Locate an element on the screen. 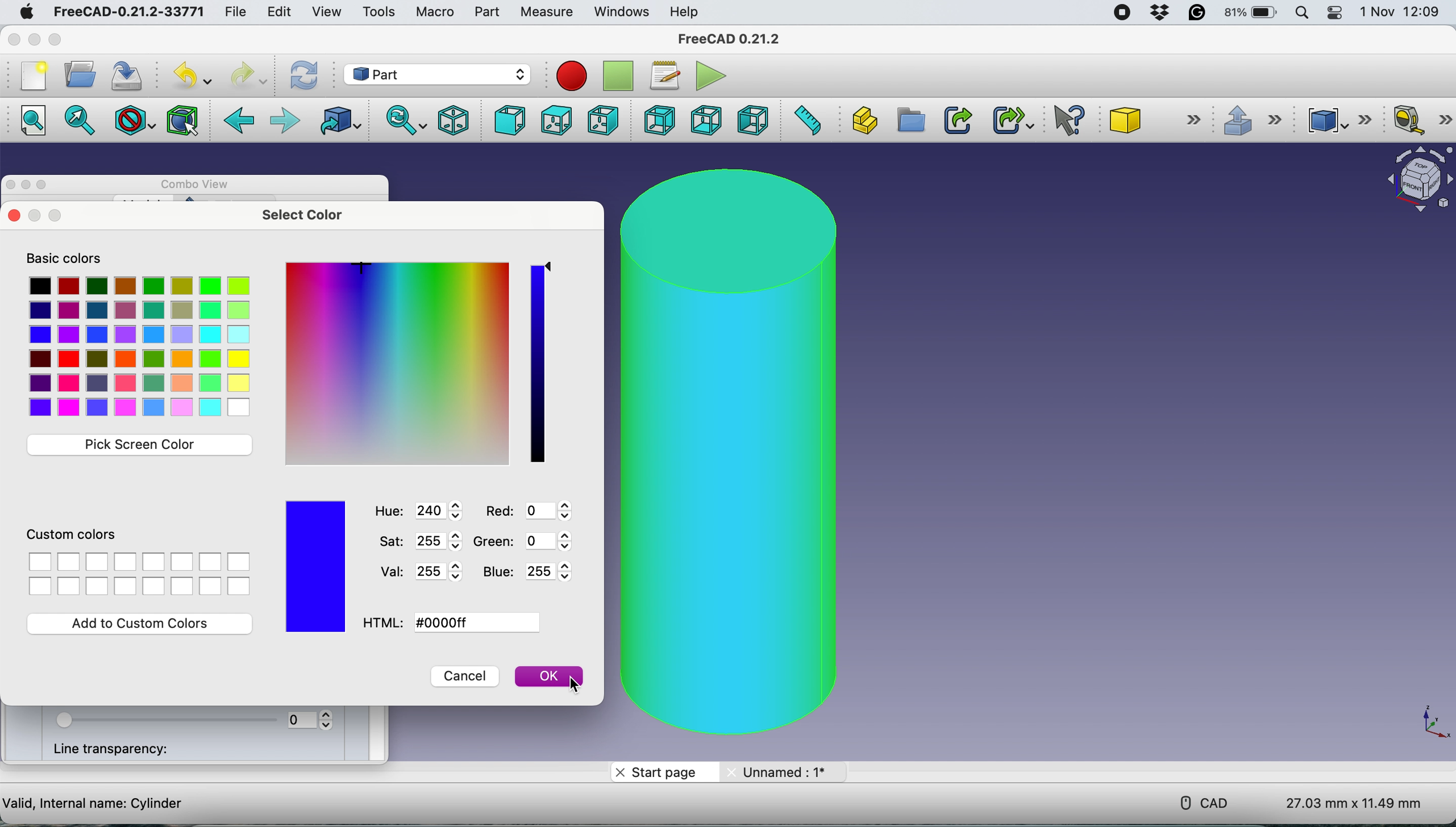 Image resolution: width=1456 pixels, height=827 pixels. html is located at coordinates (454, 625).